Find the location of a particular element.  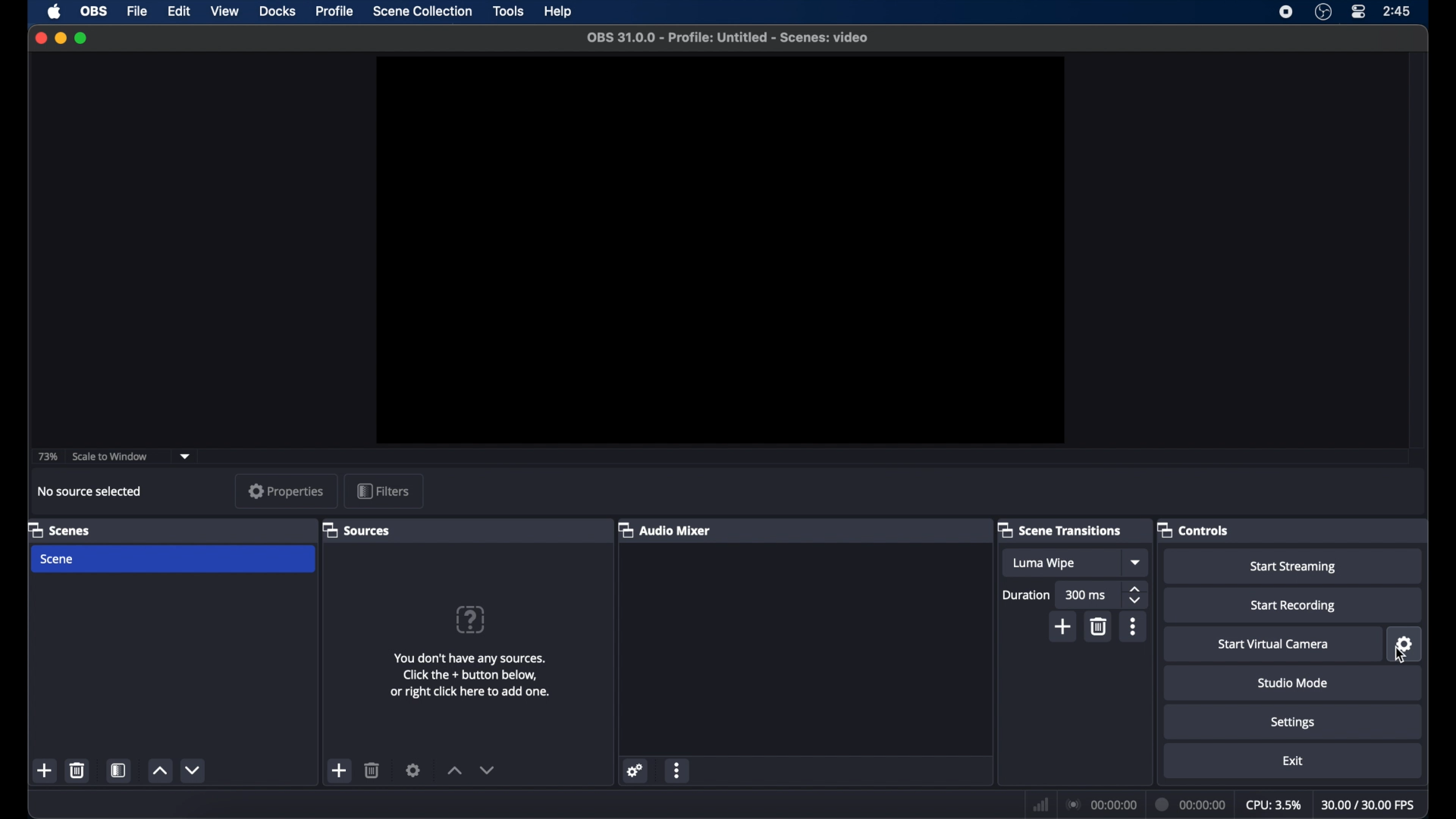

stepper buttons is located at coordinates (1136, 595).